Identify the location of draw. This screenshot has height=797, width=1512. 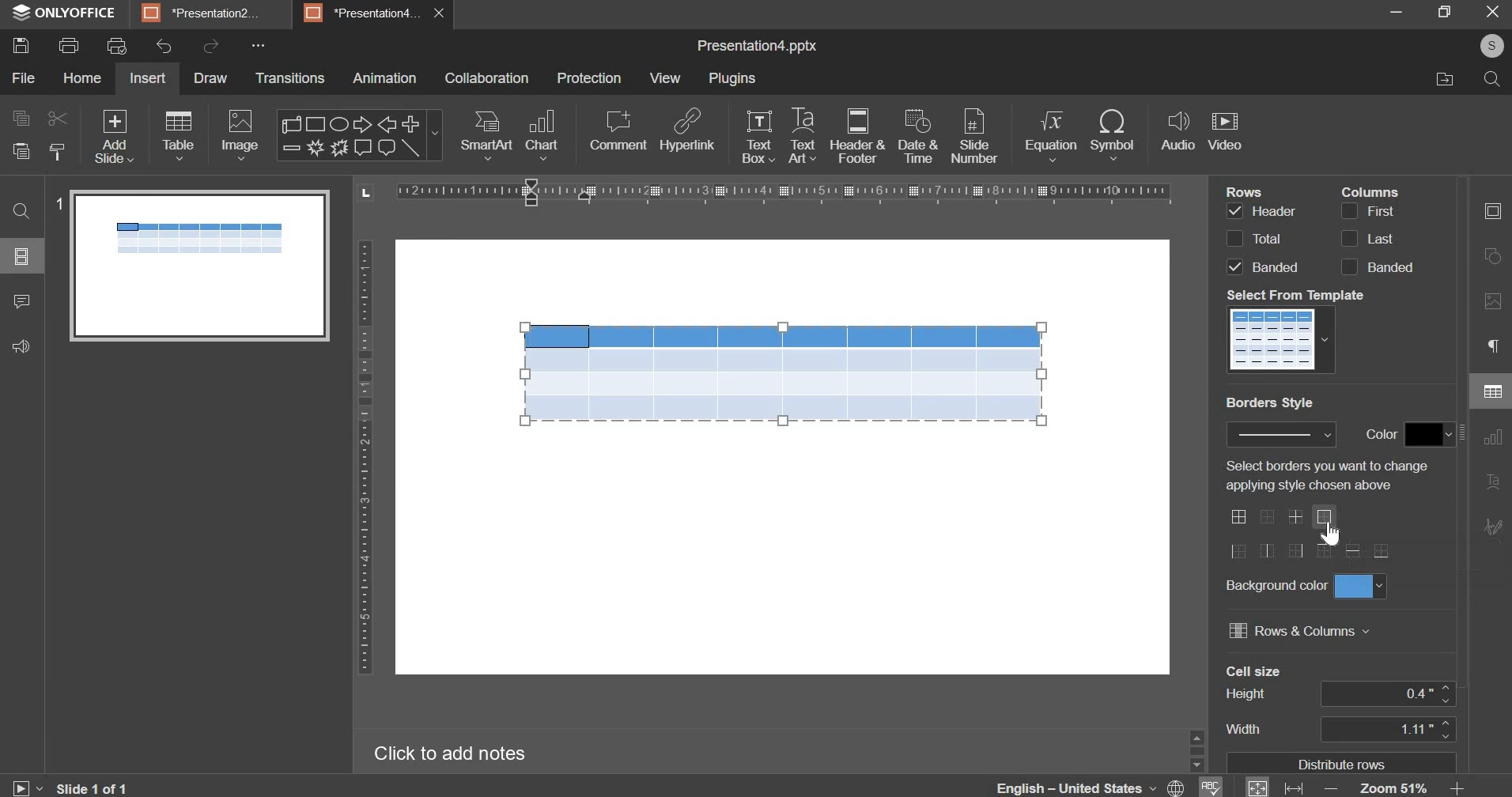
(210, 78).